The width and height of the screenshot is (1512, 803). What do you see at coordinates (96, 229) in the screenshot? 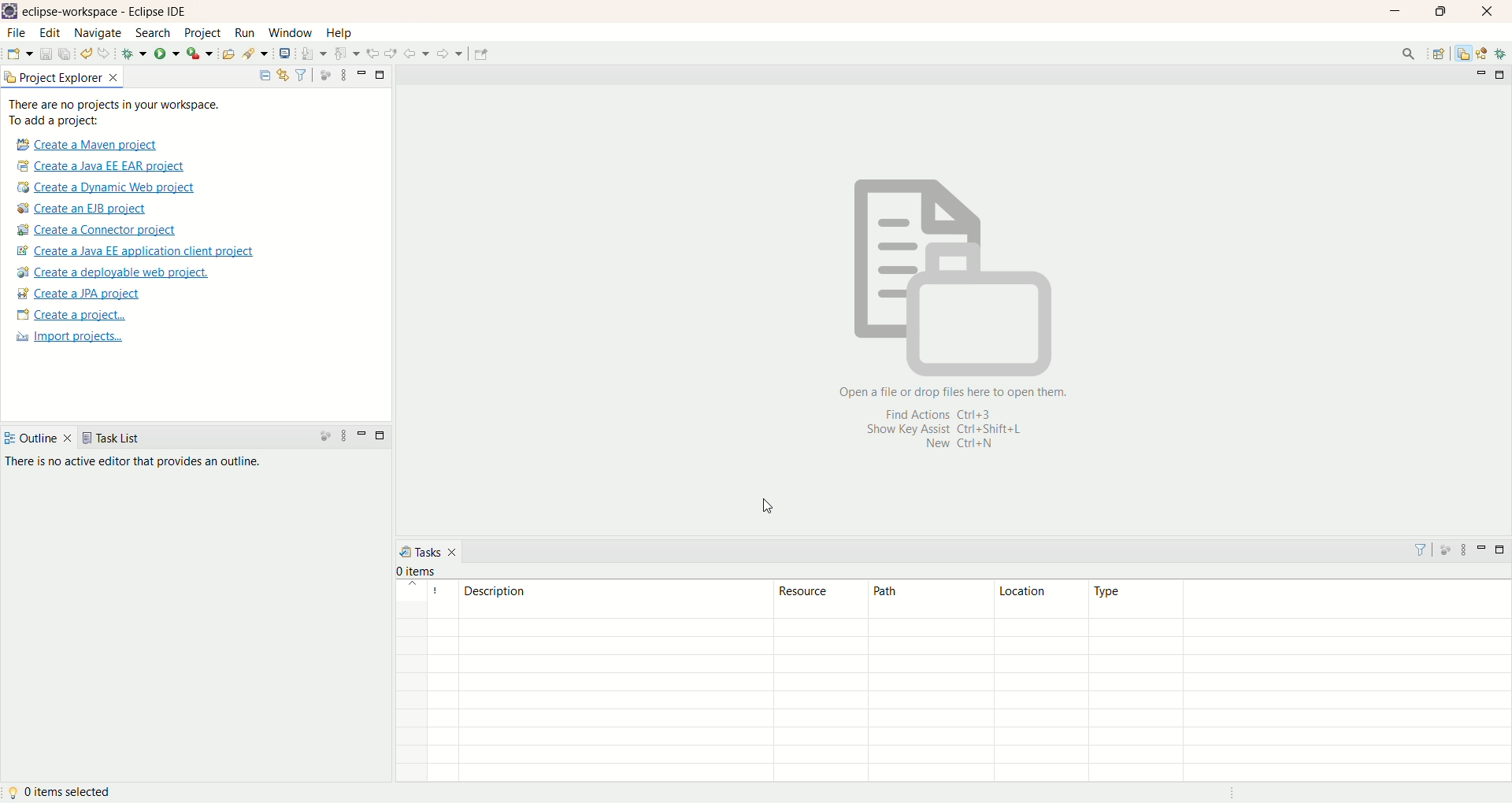
I see `create a connector project` at bounding box center [96, 229].